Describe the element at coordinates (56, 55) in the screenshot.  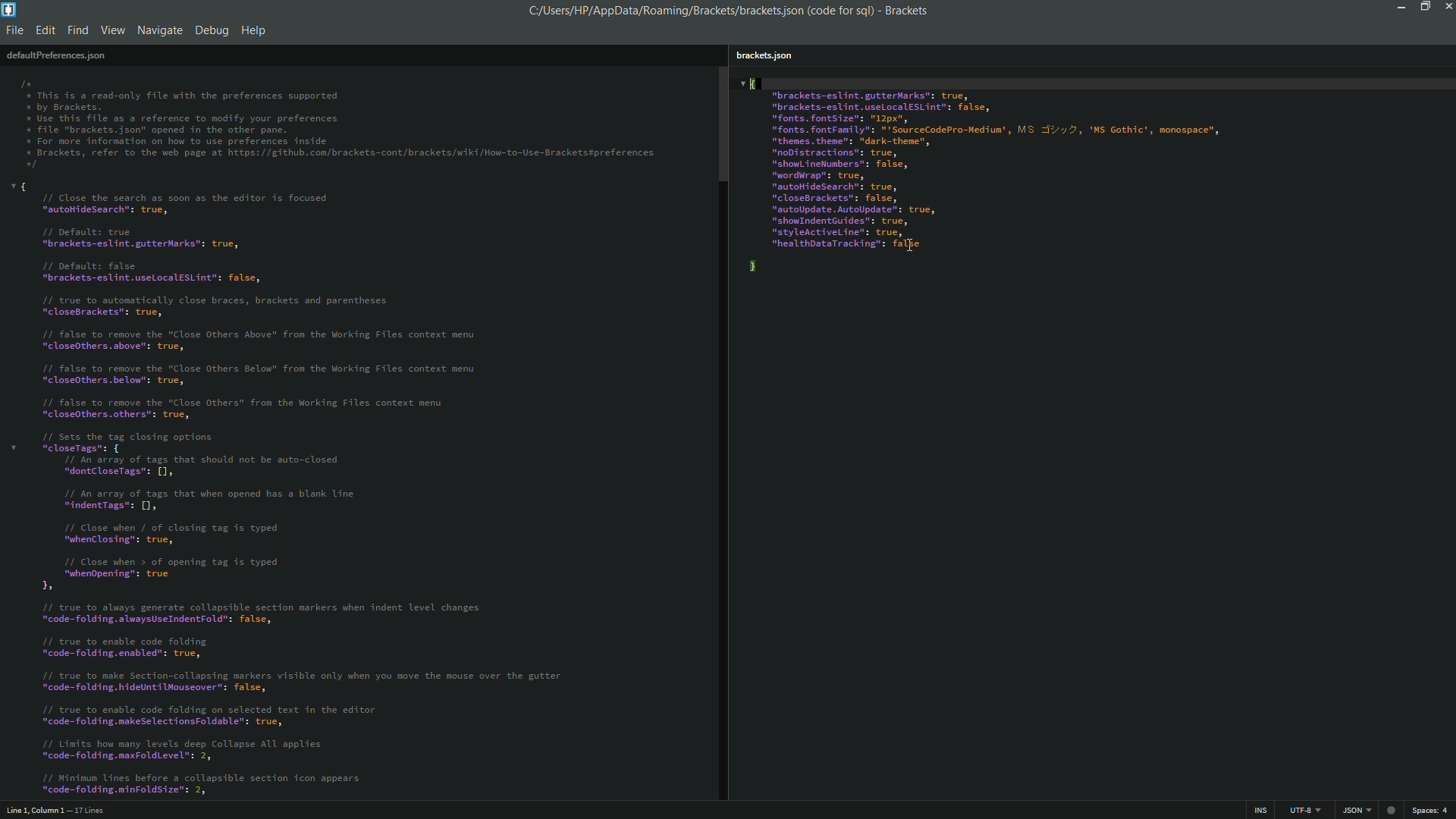
I see `Defaultpreferences.json` at that location.